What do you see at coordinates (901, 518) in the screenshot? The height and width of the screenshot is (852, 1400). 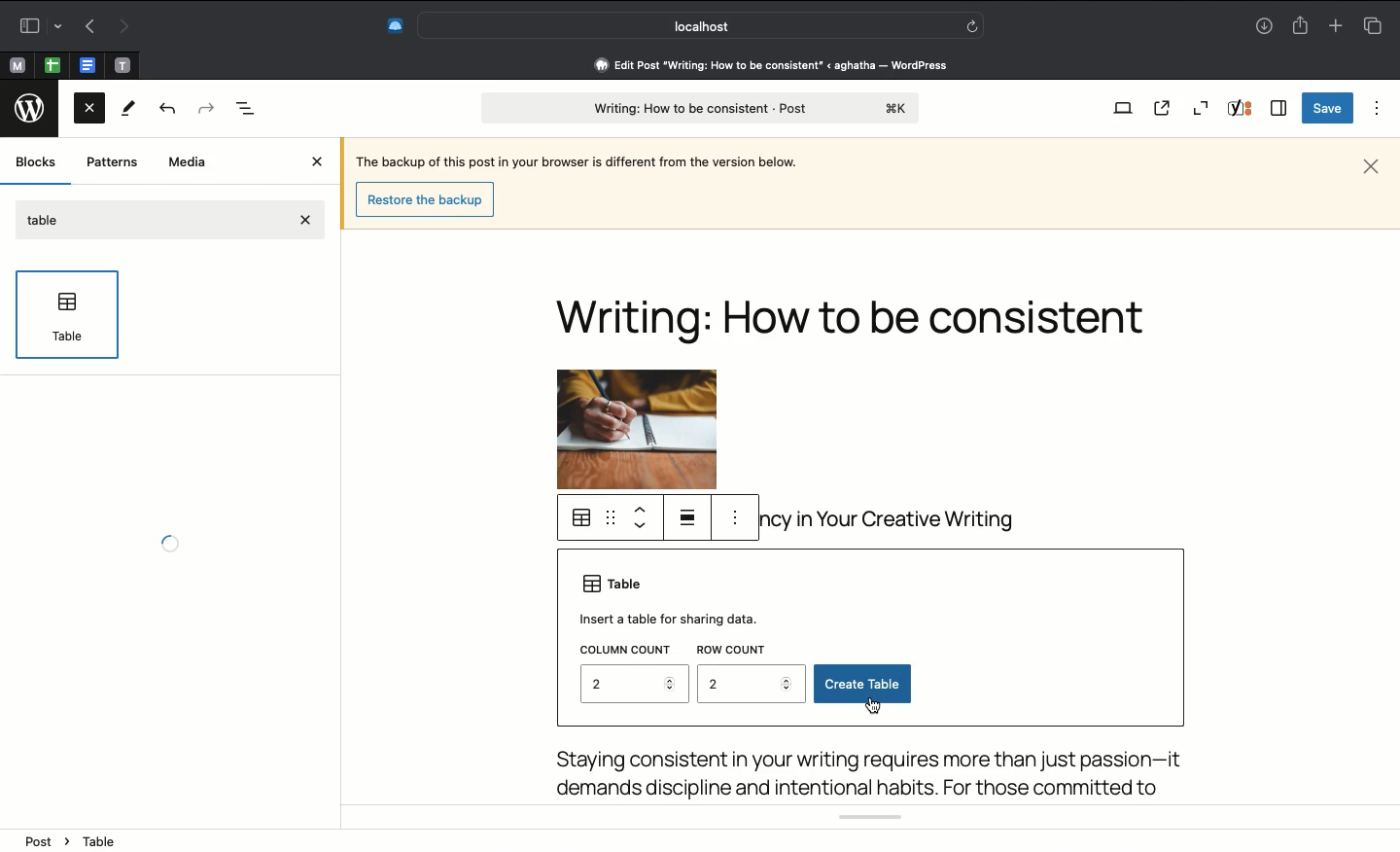 I see `body` at bounding box center [901, 518].